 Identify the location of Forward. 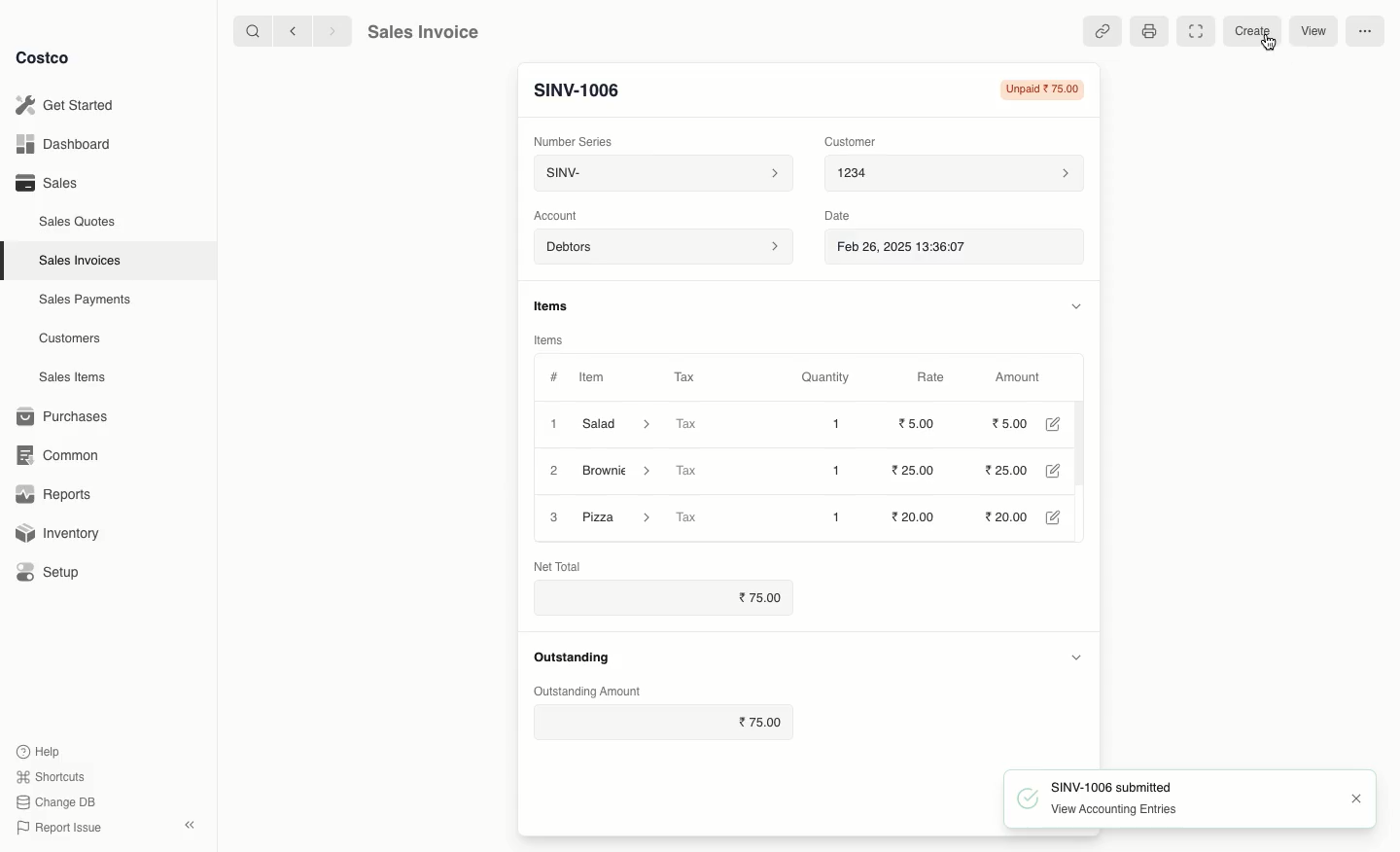
(332, 32).